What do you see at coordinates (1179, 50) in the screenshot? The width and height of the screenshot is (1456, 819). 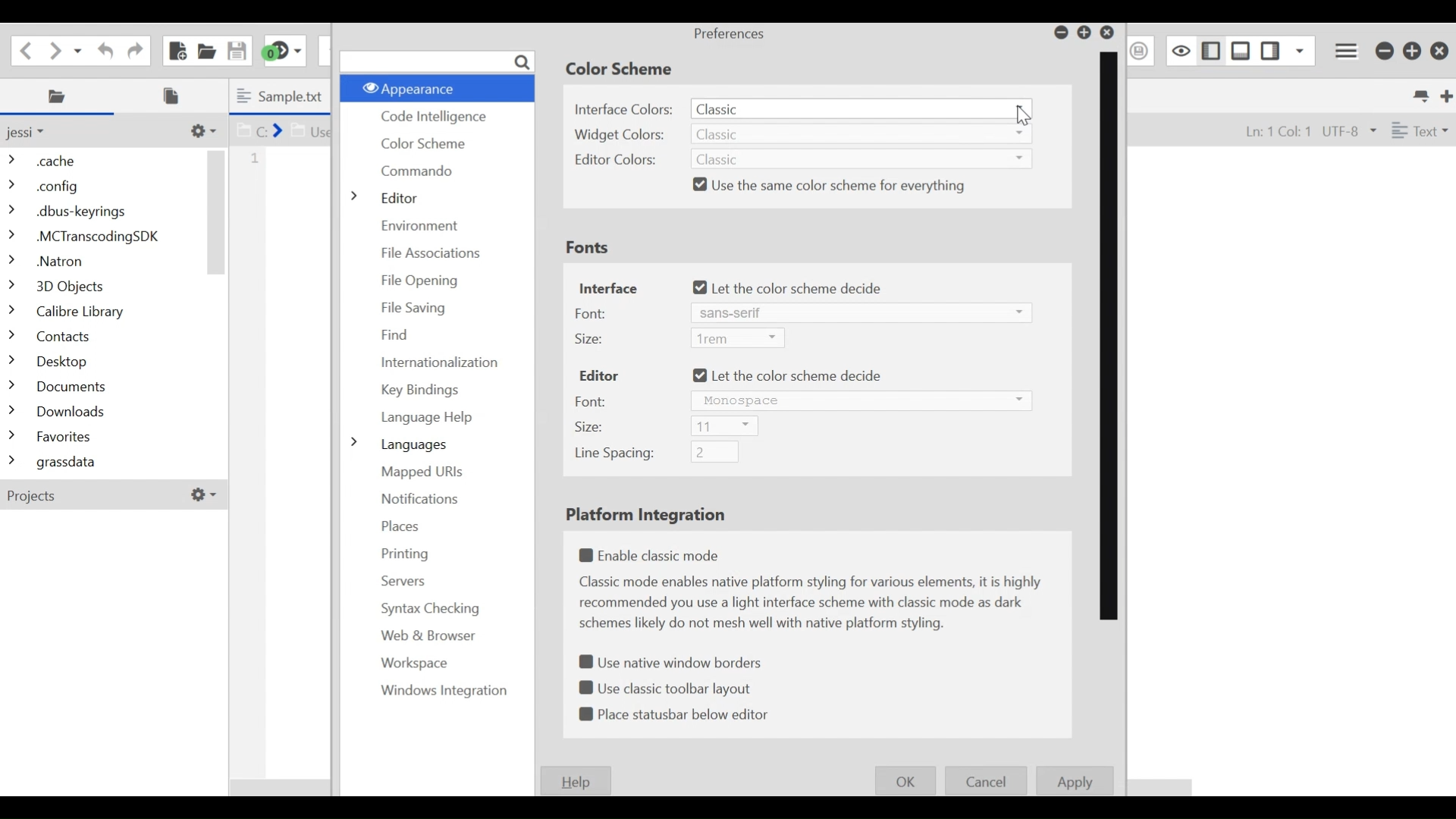 I see `Toggle focus mode` at bounding box center [1179, 50].